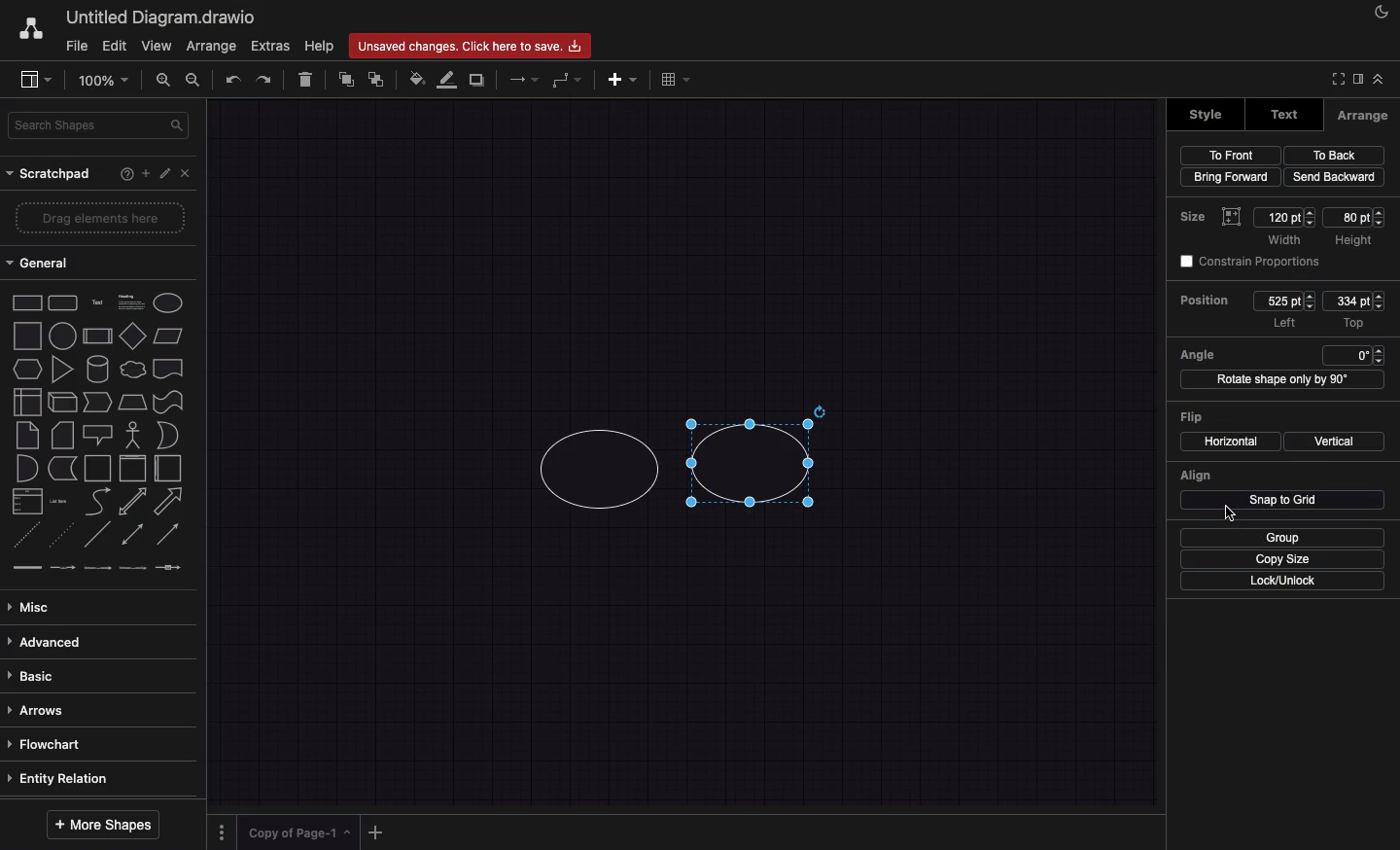 Image resolution: width=1400 pixels, height=850 pixels. Describe the element at coordinates (1199, 355) in the screenshot. I see `angle` at that location.